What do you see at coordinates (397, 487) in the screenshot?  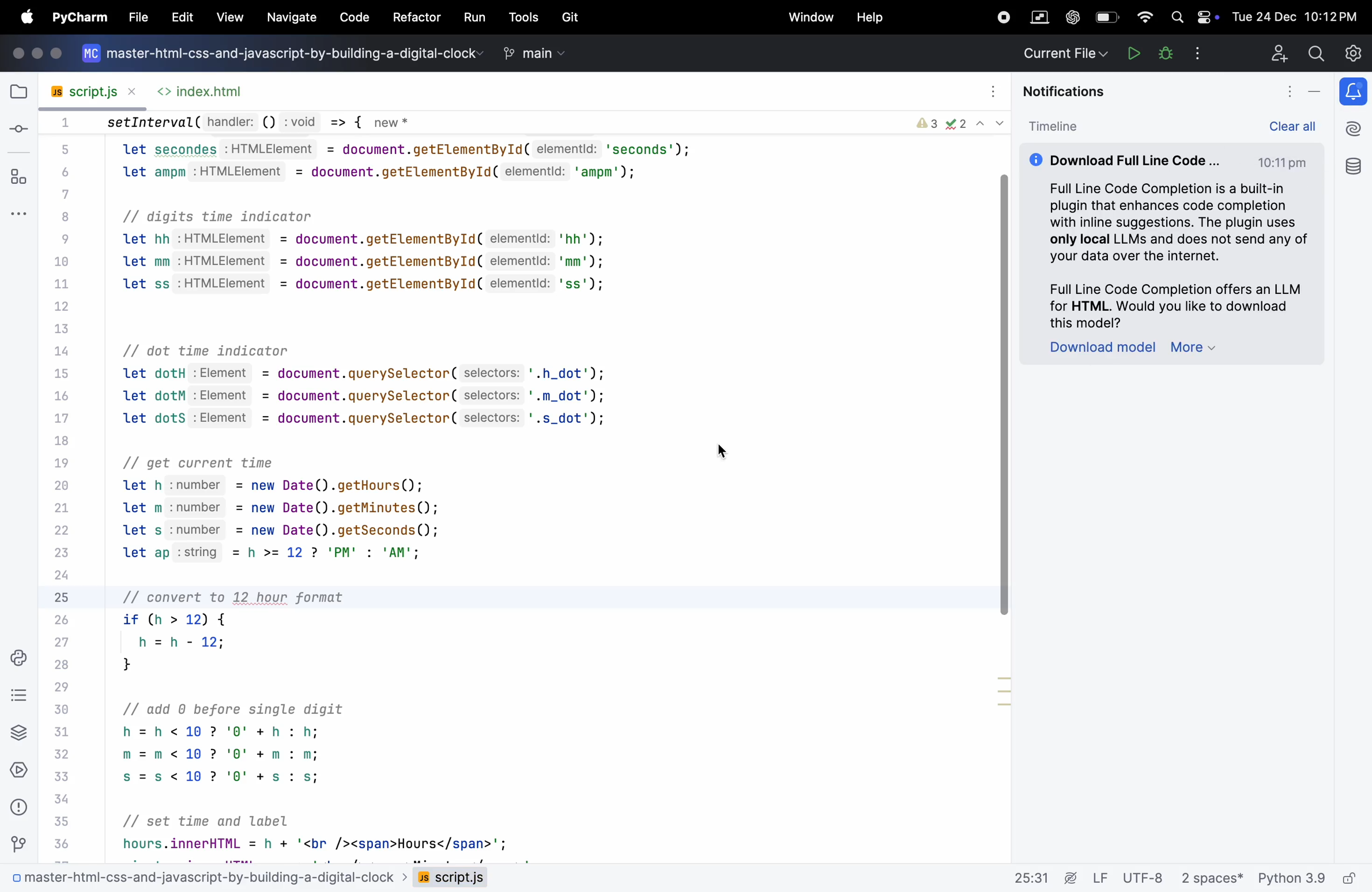 I see `setInterval( handler: () :void => { new*
let secondes :HTMLElement = document.getElementById( elementid: 'seconds');
let ampm :HTMLElement = document.getElementById( elementid: 'ampm');
// digits time indicator
let hh :HTMLElement = document.getElementById( elementld: 'hh');
let mm :HTMLElement = document.getElementById( elementid: 'mm');
let ss :HTMLElement = document.getElementById( elementid: 'ss');
// dot time indicator
let dotH :Element = document.querySelector( selectors: '.h_dot');
let dotM :Element = document.querySelector( selectors: '.m_dot');
let dotS :Element = document.querySelector( selectors: '.s_dot');
. LS
// get current time
let h :number = new Date().getHours();
let m :number = new Date().getMinutes();
let s :number = new Date().getSeconds();
let ap :string = h >= 12 ? 'PM' : 'AM';
// convert to 12 hour format
if (h > 12) {
h=h- 12;
}
// add 0 before single digit
h=h<10 ? '8' + h : h;
m=m<10 ? '0' + m : m;
s=s<10 ? '0' +s : s;
// set time and label
hours.innerHTML = h + '<br /><span>Hours</span>';` at bounding box center [397, 487].